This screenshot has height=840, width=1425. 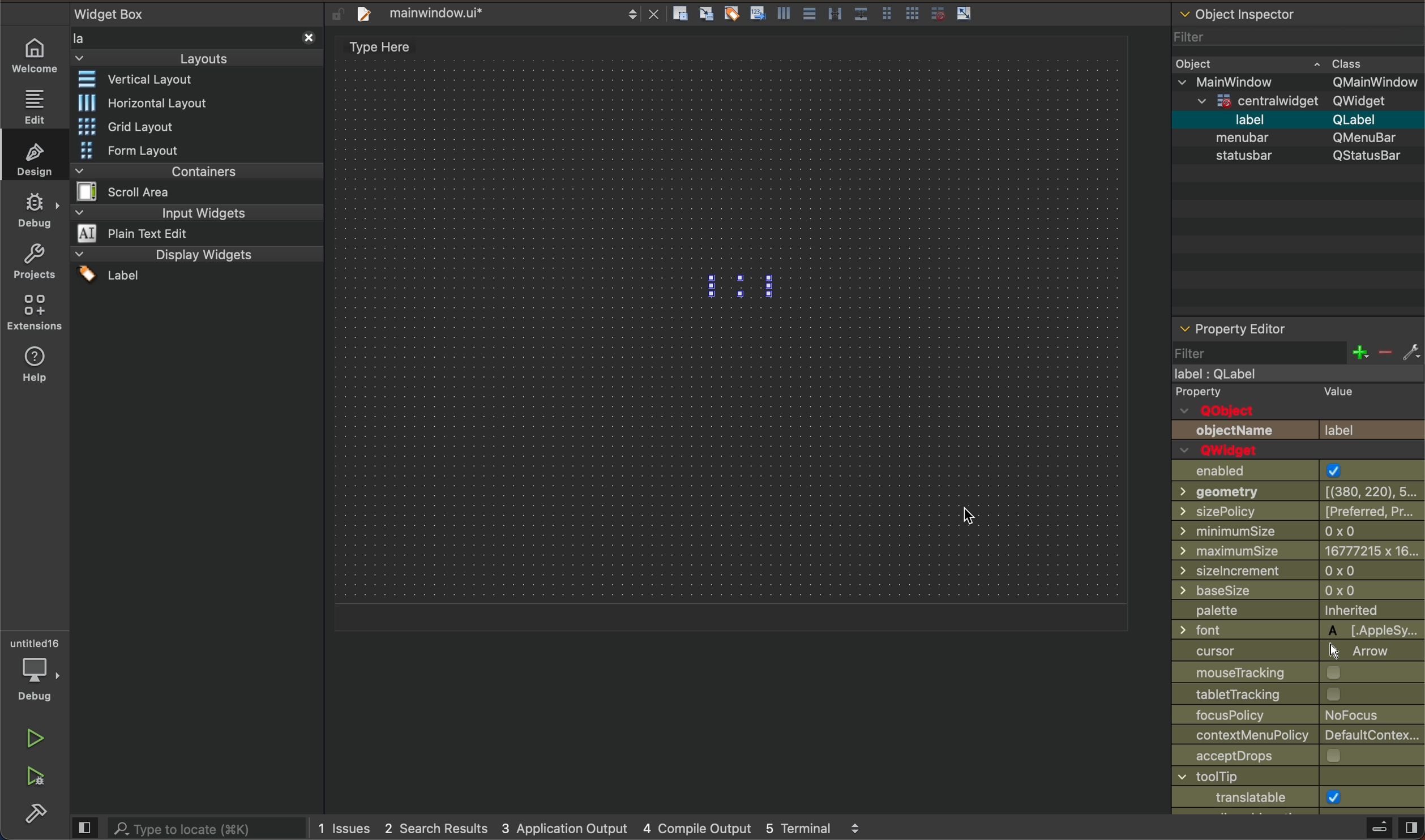 I want to click on palette, so click(x=1298, y=610).